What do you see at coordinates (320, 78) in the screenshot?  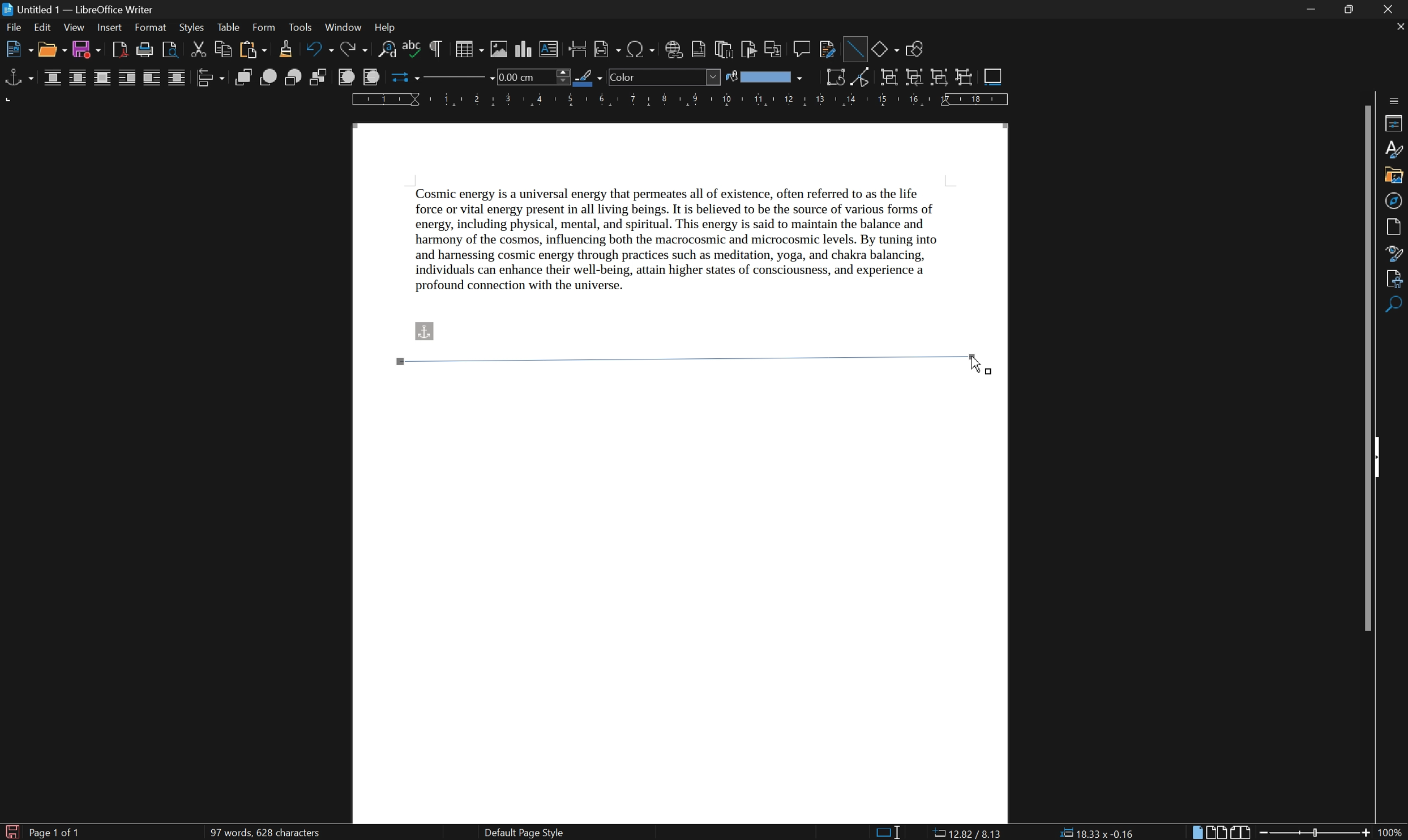 I see `send to back` at bounding box center [320, 78].